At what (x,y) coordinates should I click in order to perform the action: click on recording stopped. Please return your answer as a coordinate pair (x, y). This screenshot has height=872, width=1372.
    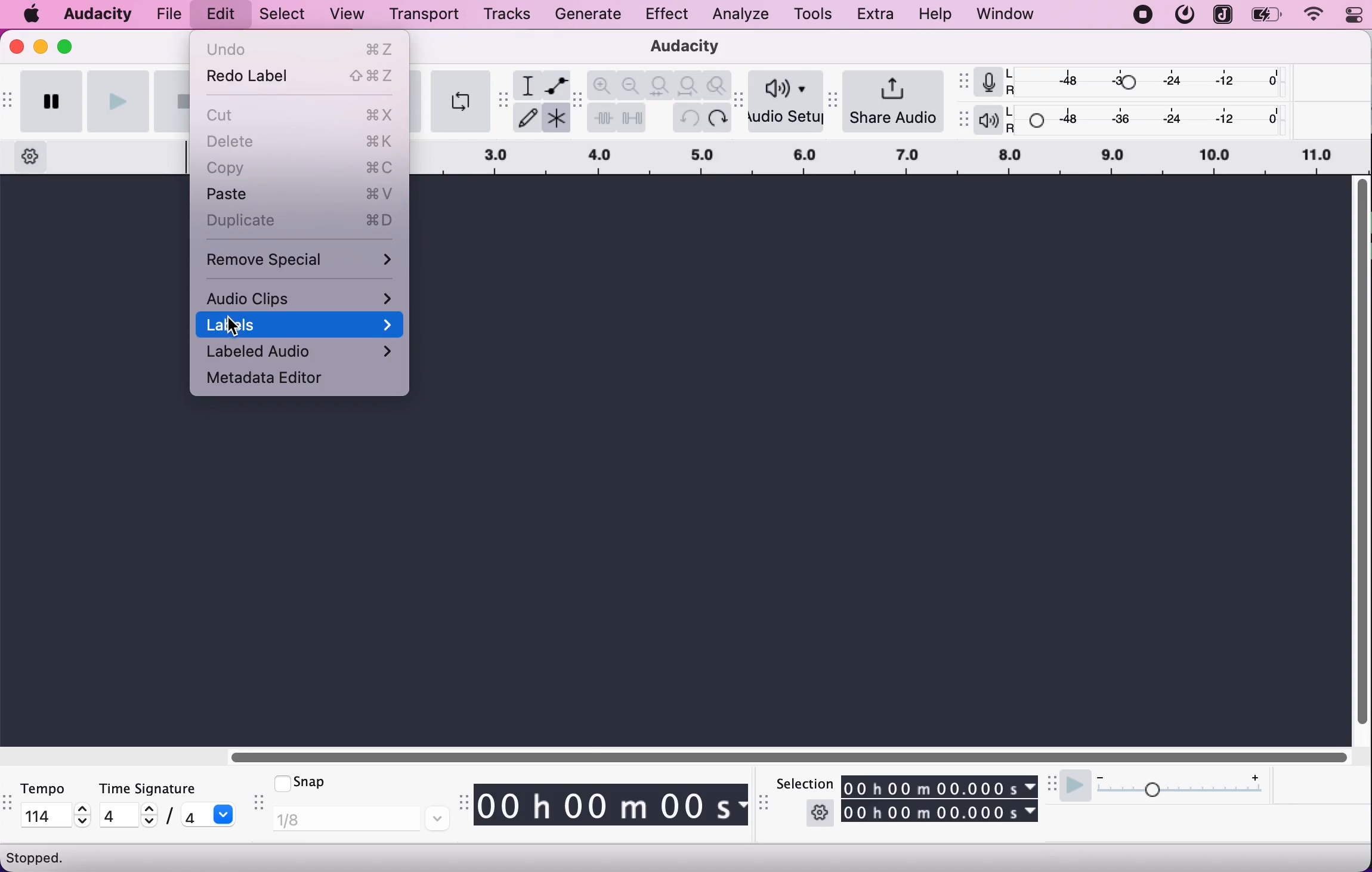
    Looking at the image, I should click on (1143, 15).